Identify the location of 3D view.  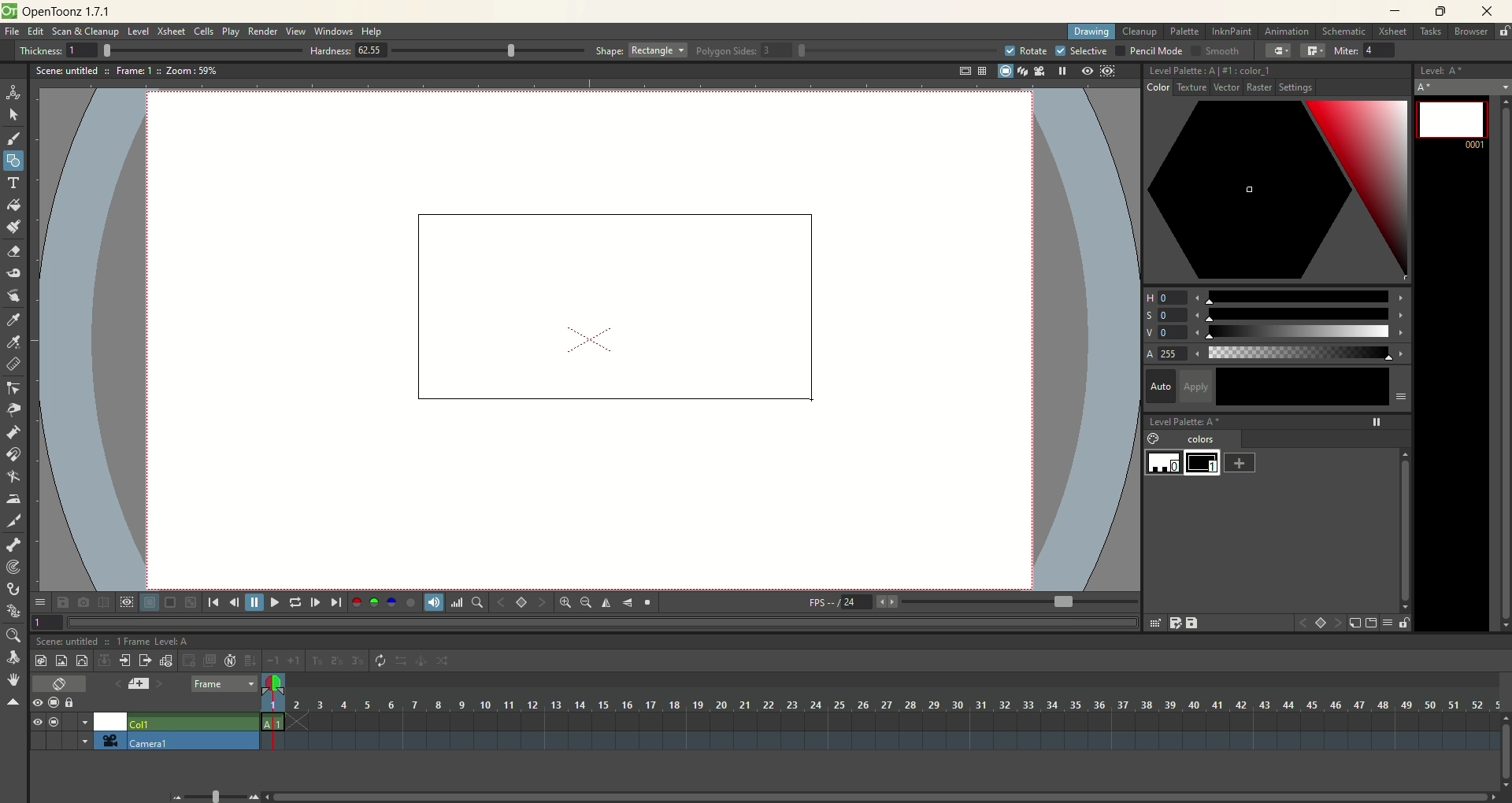
(1020, 72).